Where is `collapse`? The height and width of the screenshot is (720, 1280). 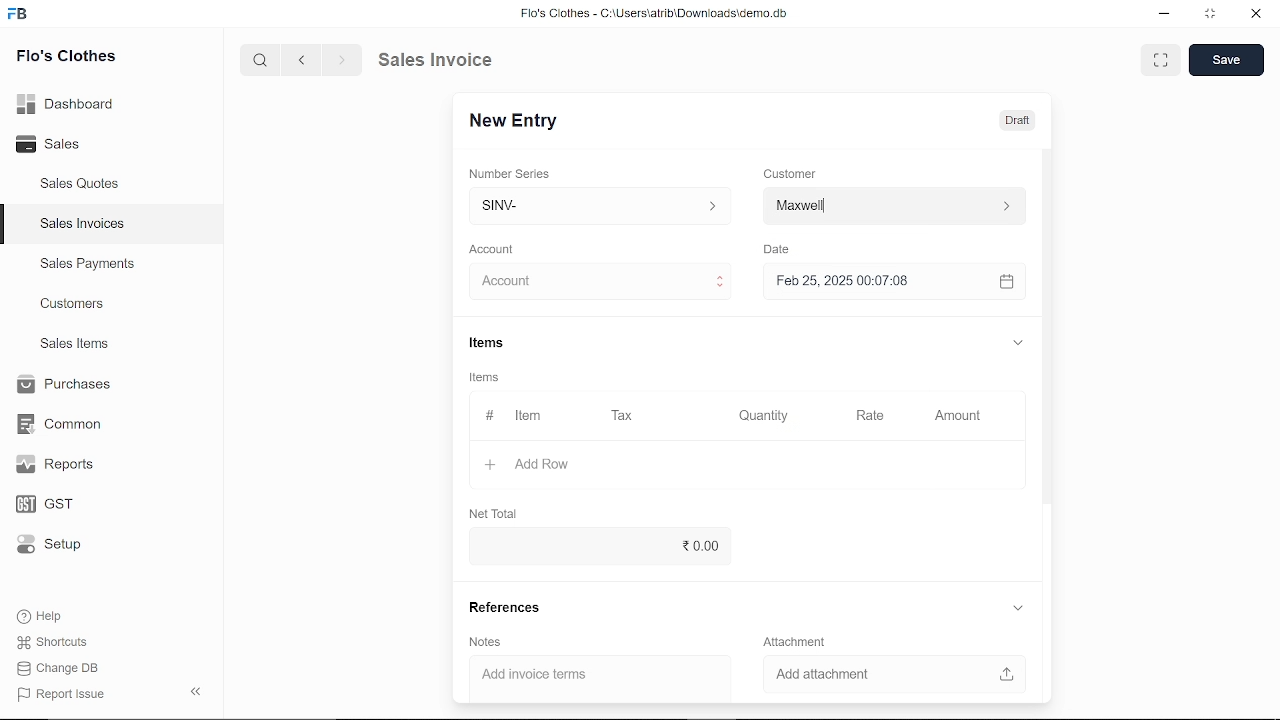
collapse is located at coordinates (198, 693).